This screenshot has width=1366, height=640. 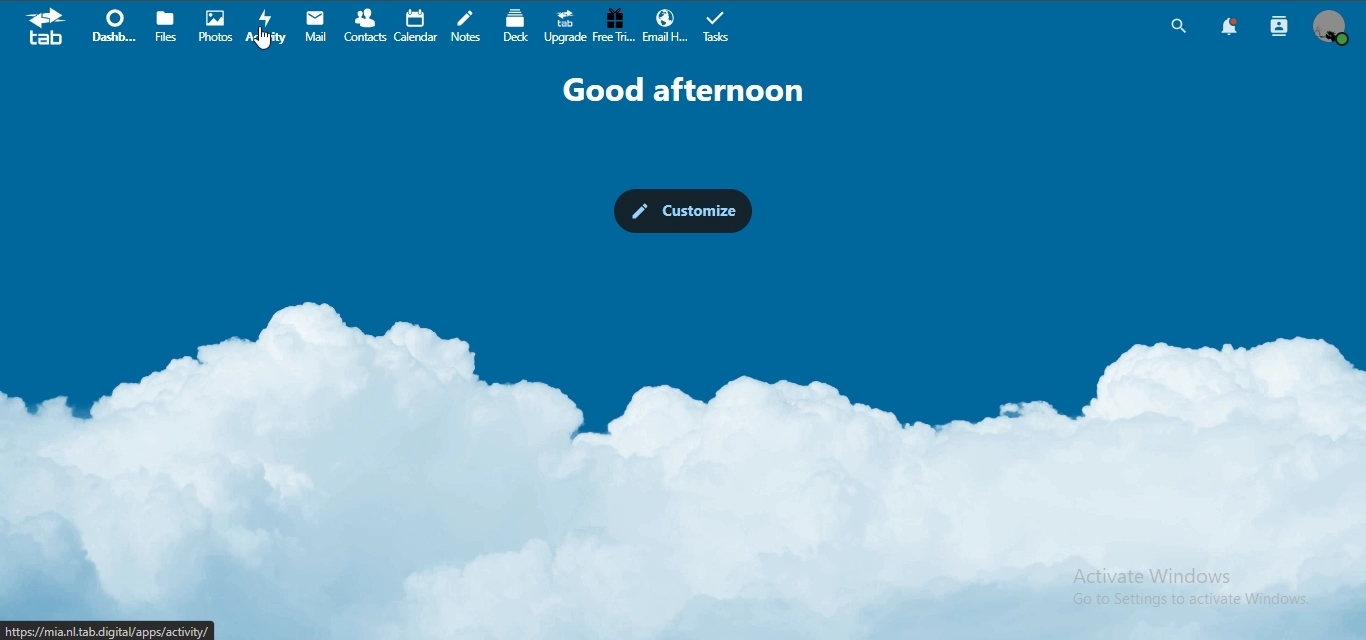 I want to click on mail, so click(x=315, y=25).